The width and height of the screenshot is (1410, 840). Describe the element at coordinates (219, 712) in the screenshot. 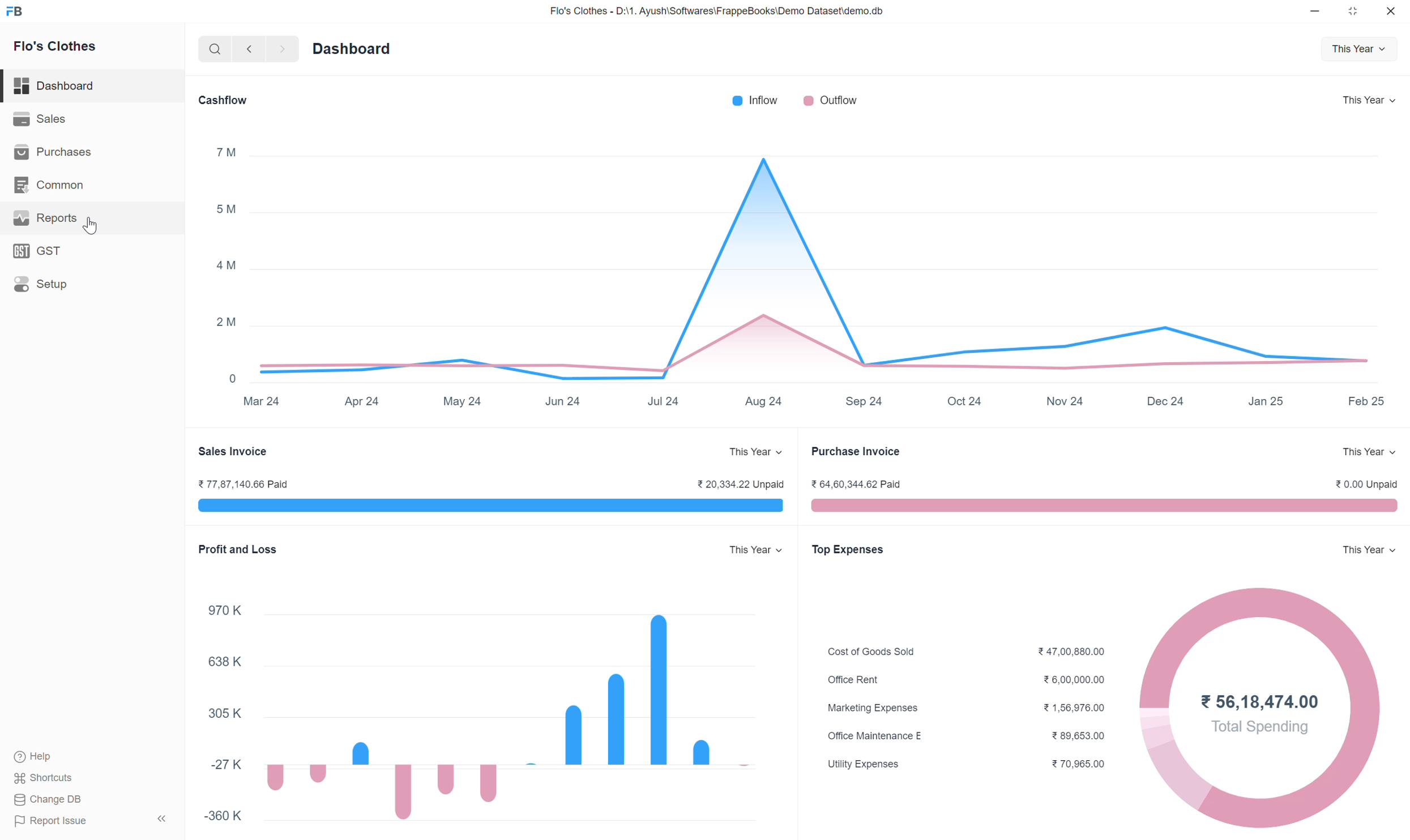

I see `305K` at that location.